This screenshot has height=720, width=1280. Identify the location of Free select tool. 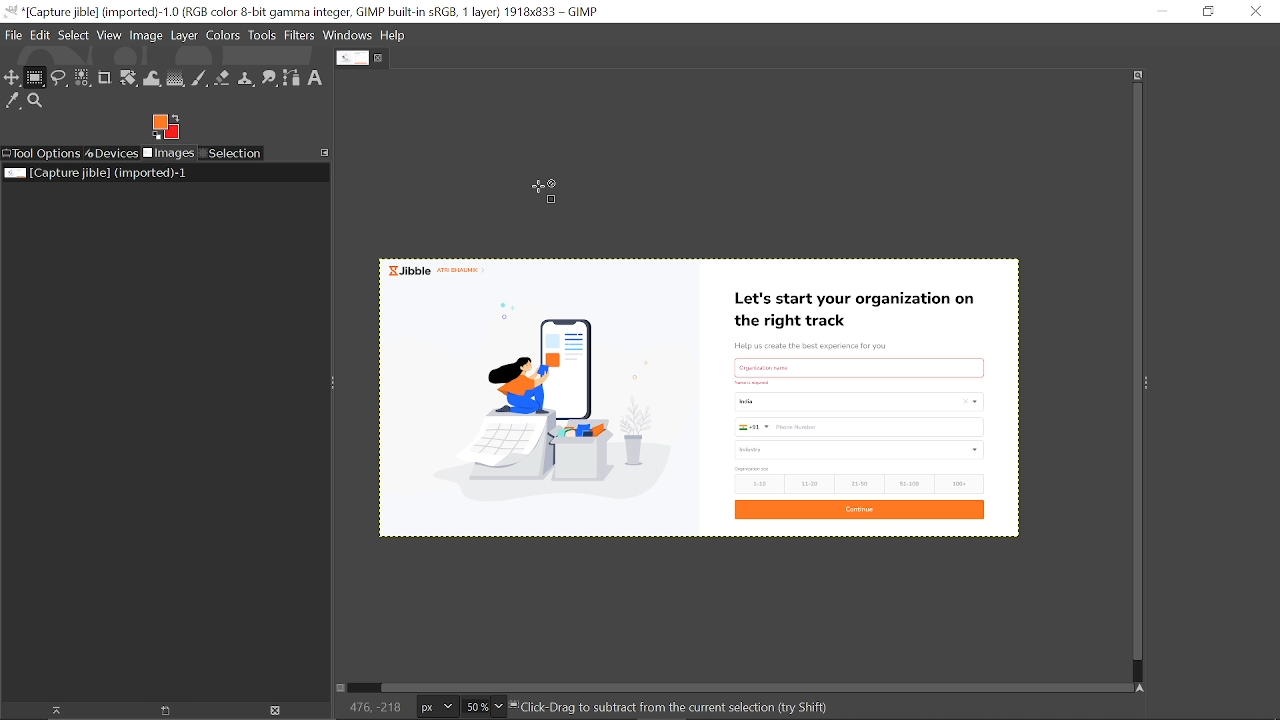
(60, 79).